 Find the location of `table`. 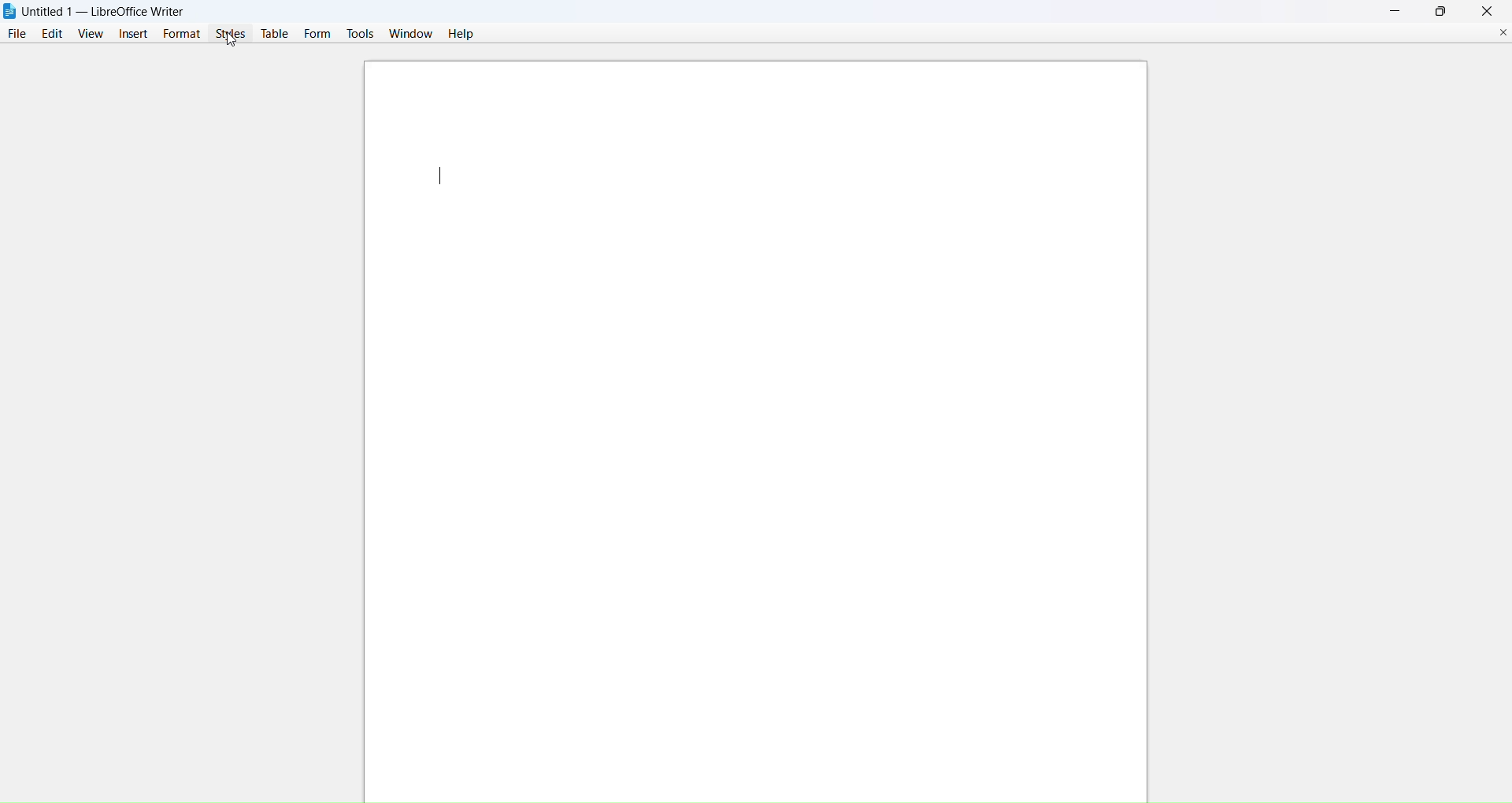

table is located at coordinates (276, 33).